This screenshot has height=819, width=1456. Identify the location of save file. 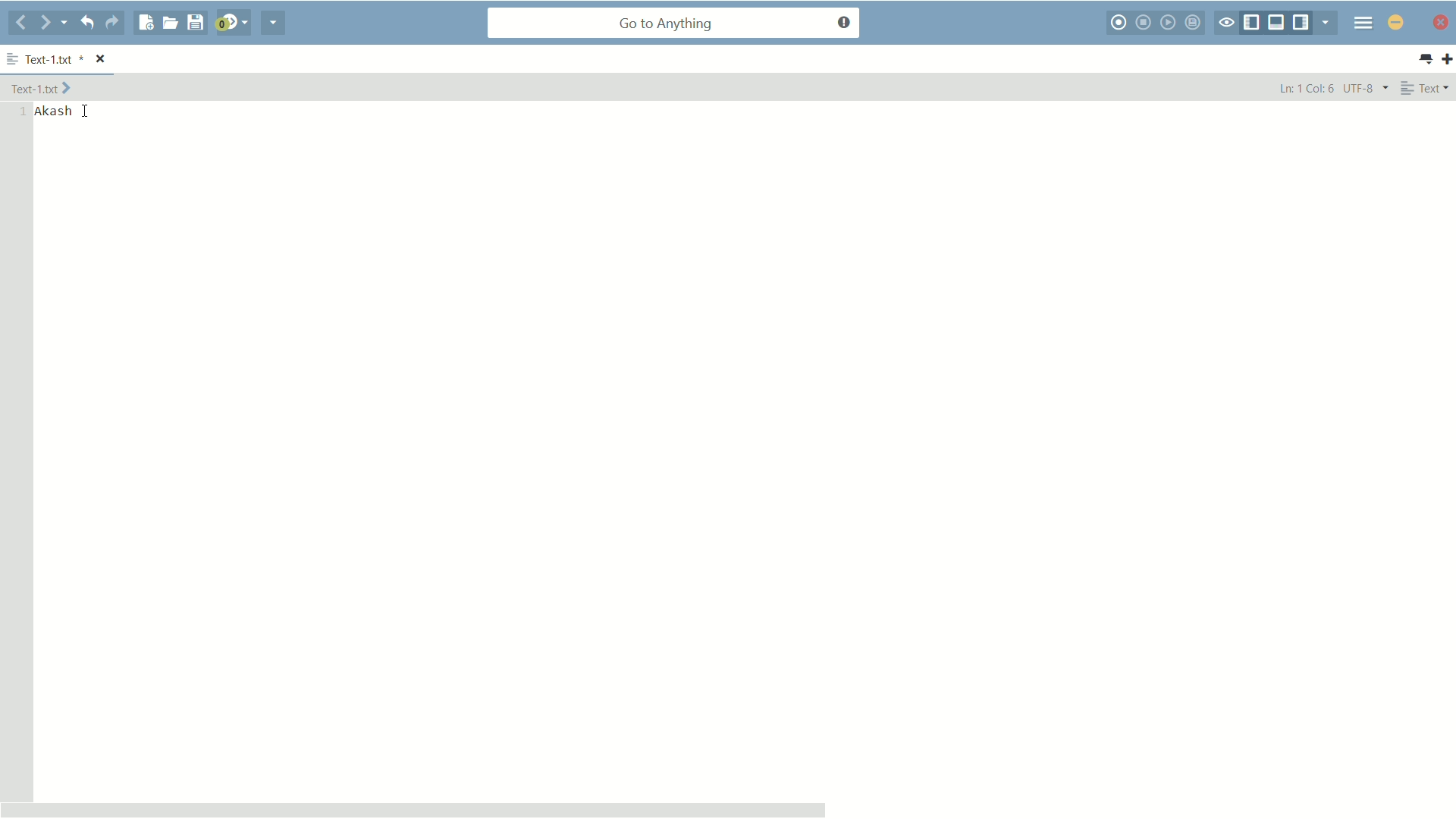
(195, 24).